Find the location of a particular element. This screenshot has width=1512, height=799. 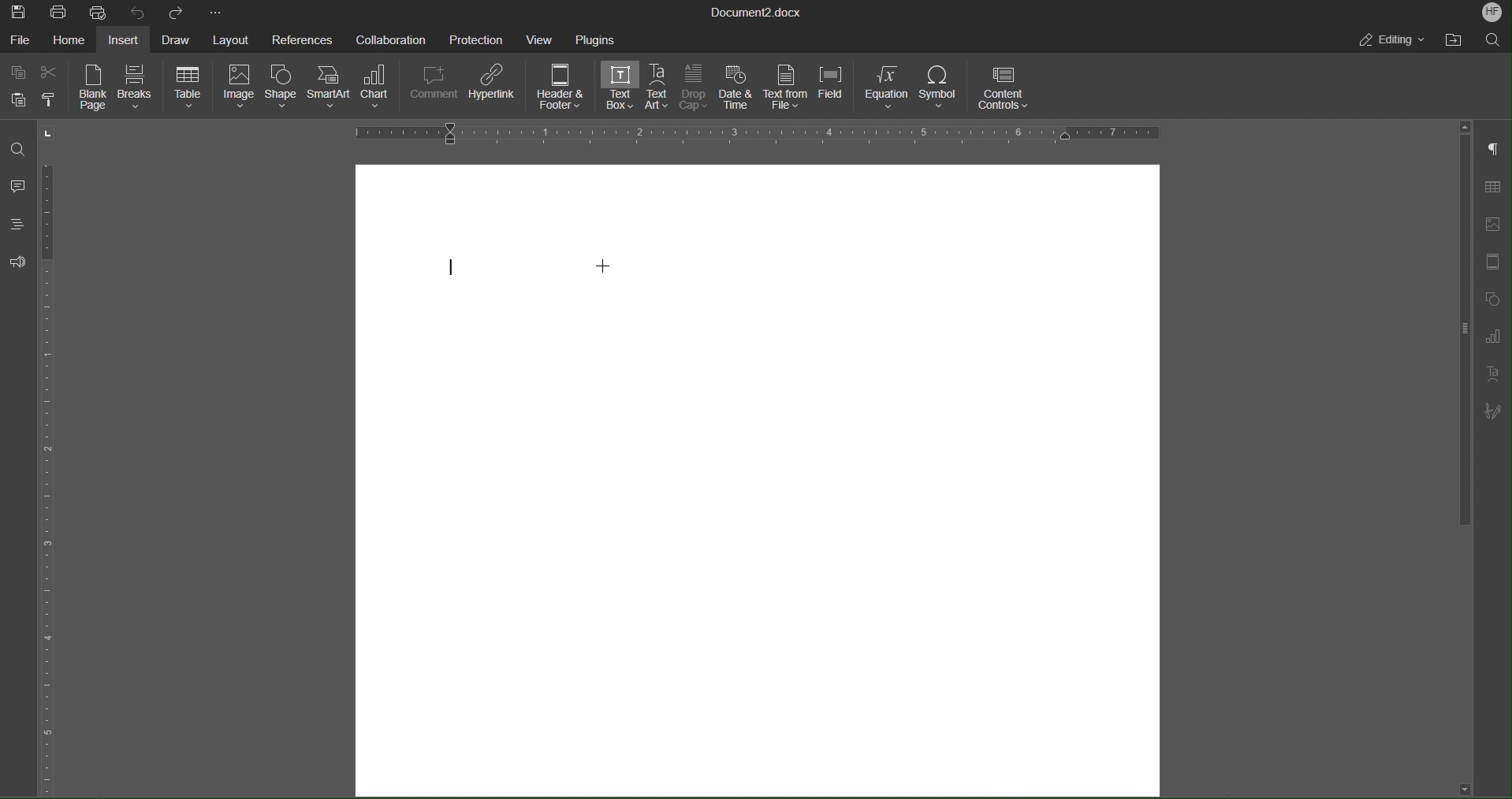

More is located at coordinates (216, 11).